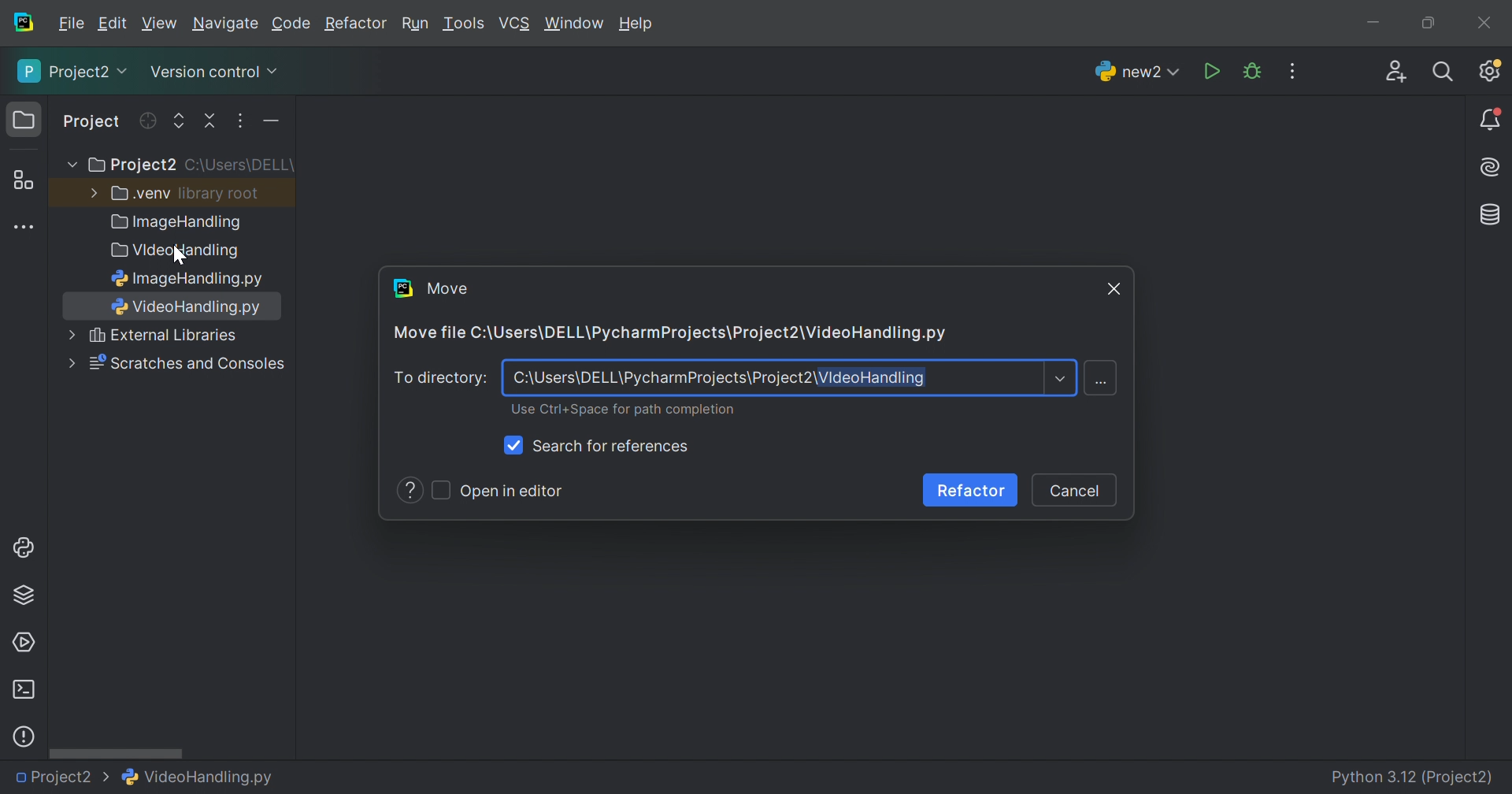 Image resolution: width=1512 pixels, height=794 pixels. I want to click on Project, so click(93, 123).